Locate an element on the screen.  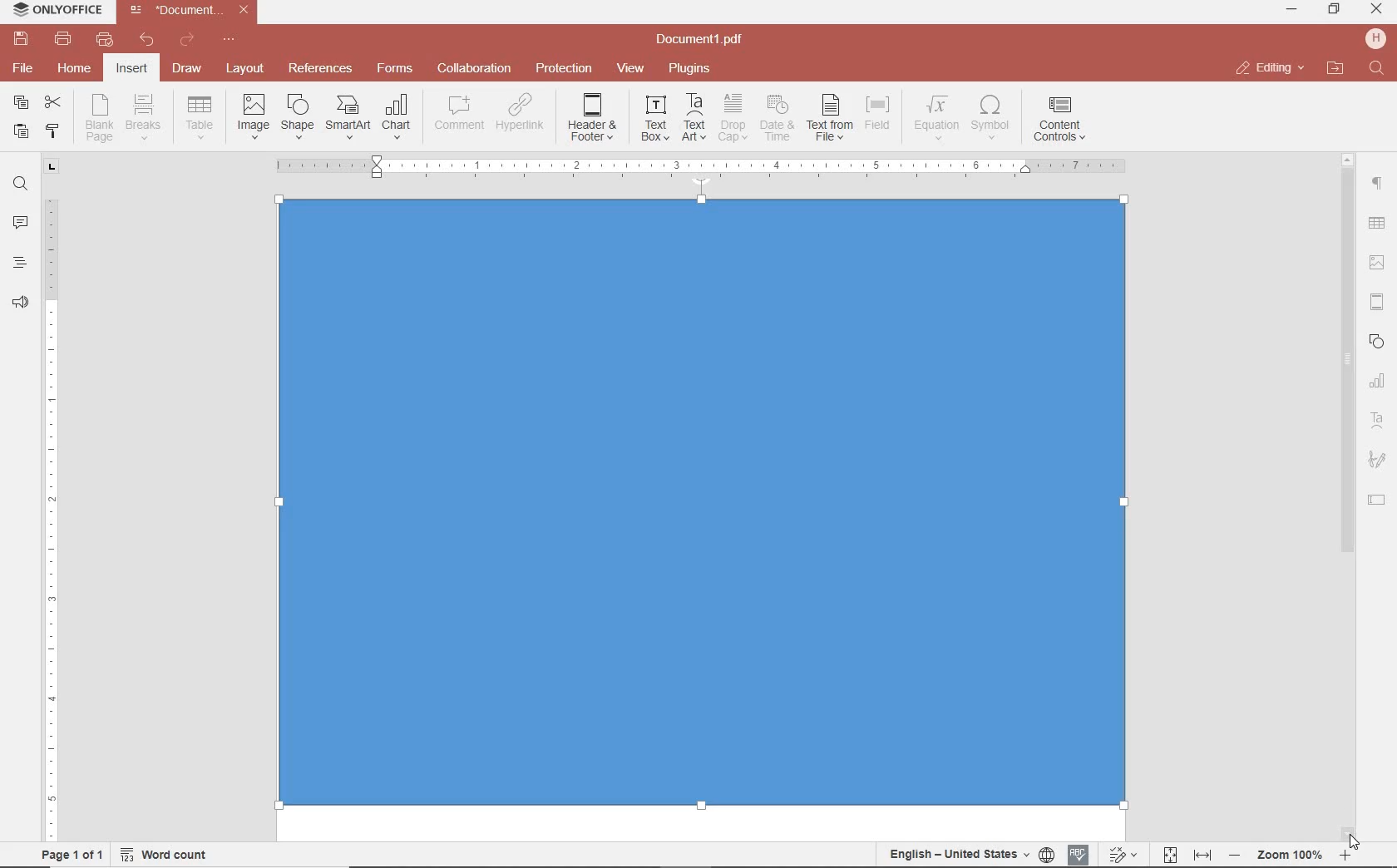
 is located at coordinates (702, 510).